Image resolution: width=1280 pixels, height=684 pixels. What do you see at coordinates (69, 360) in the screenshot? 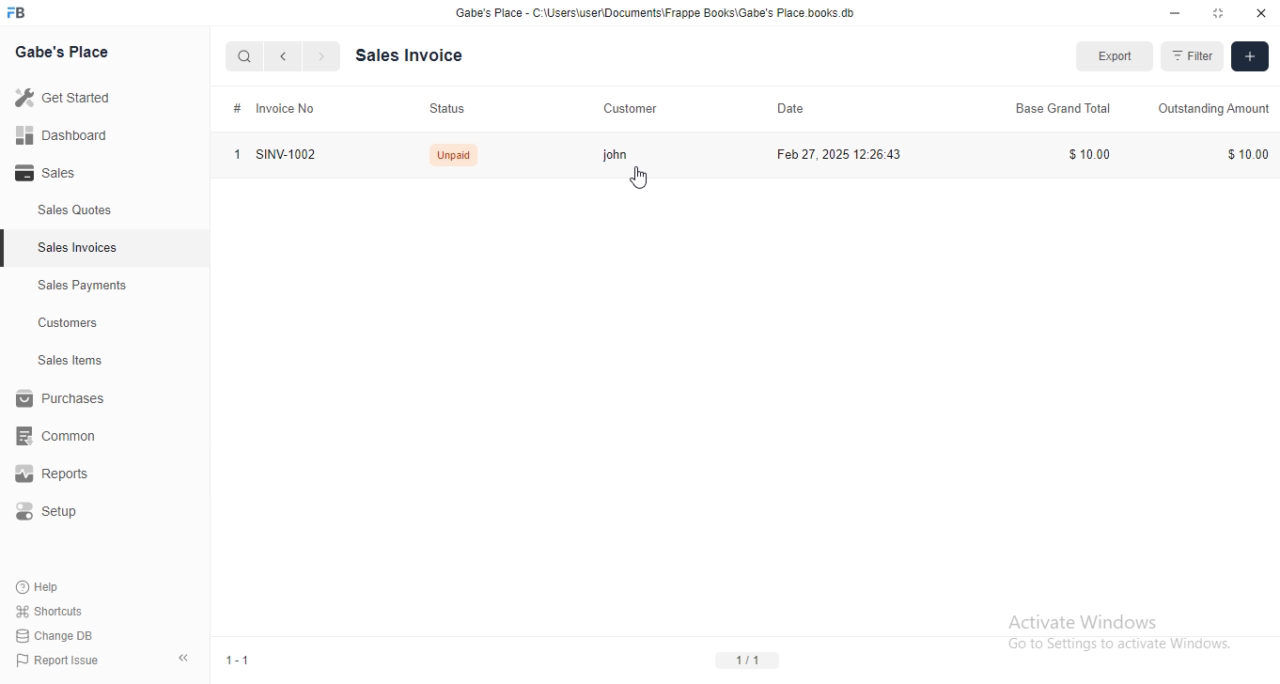
I see `sales items` at bounding box center [69, 360].